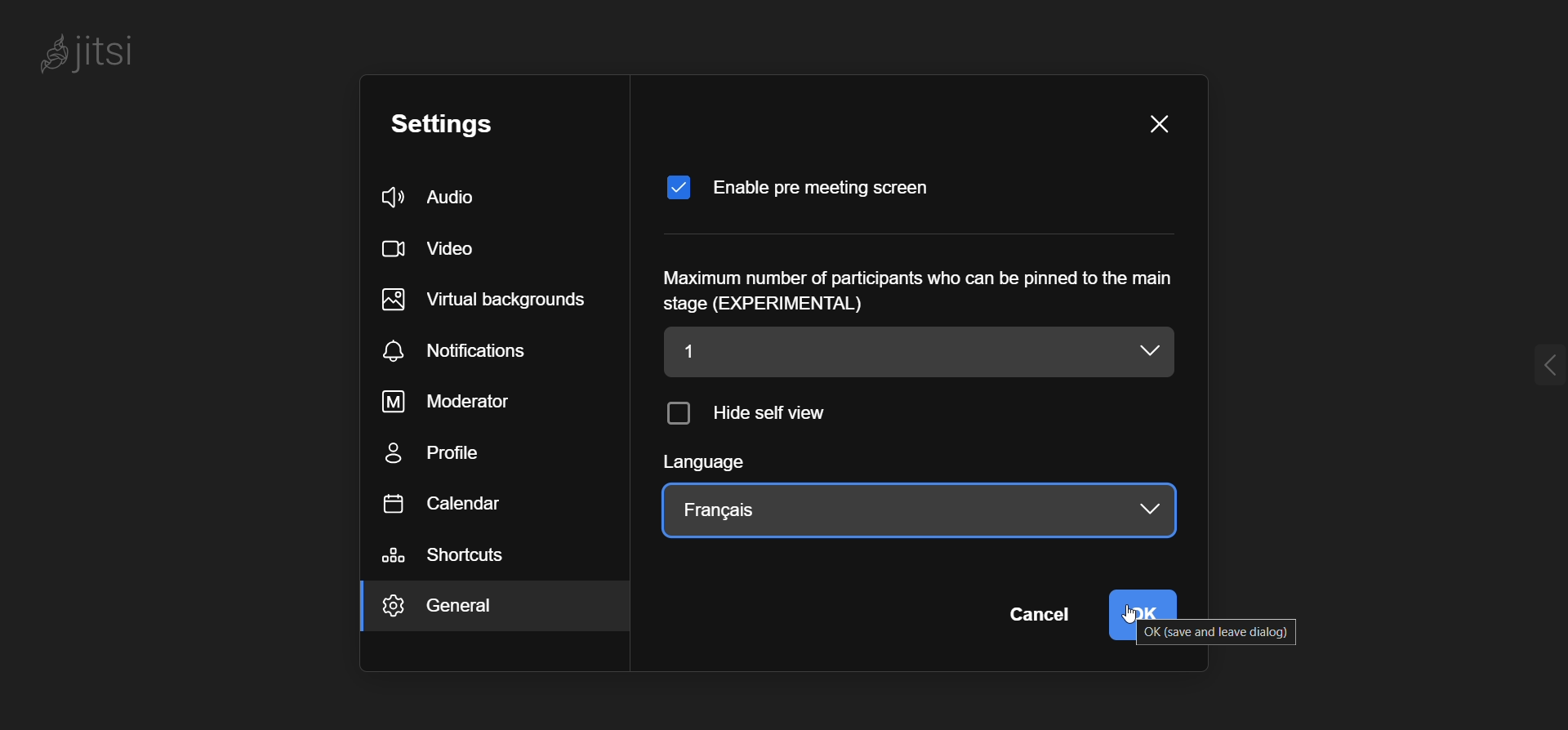 This screenshot has height=730, width=1568. I want to click on settings, so click(460, 123).